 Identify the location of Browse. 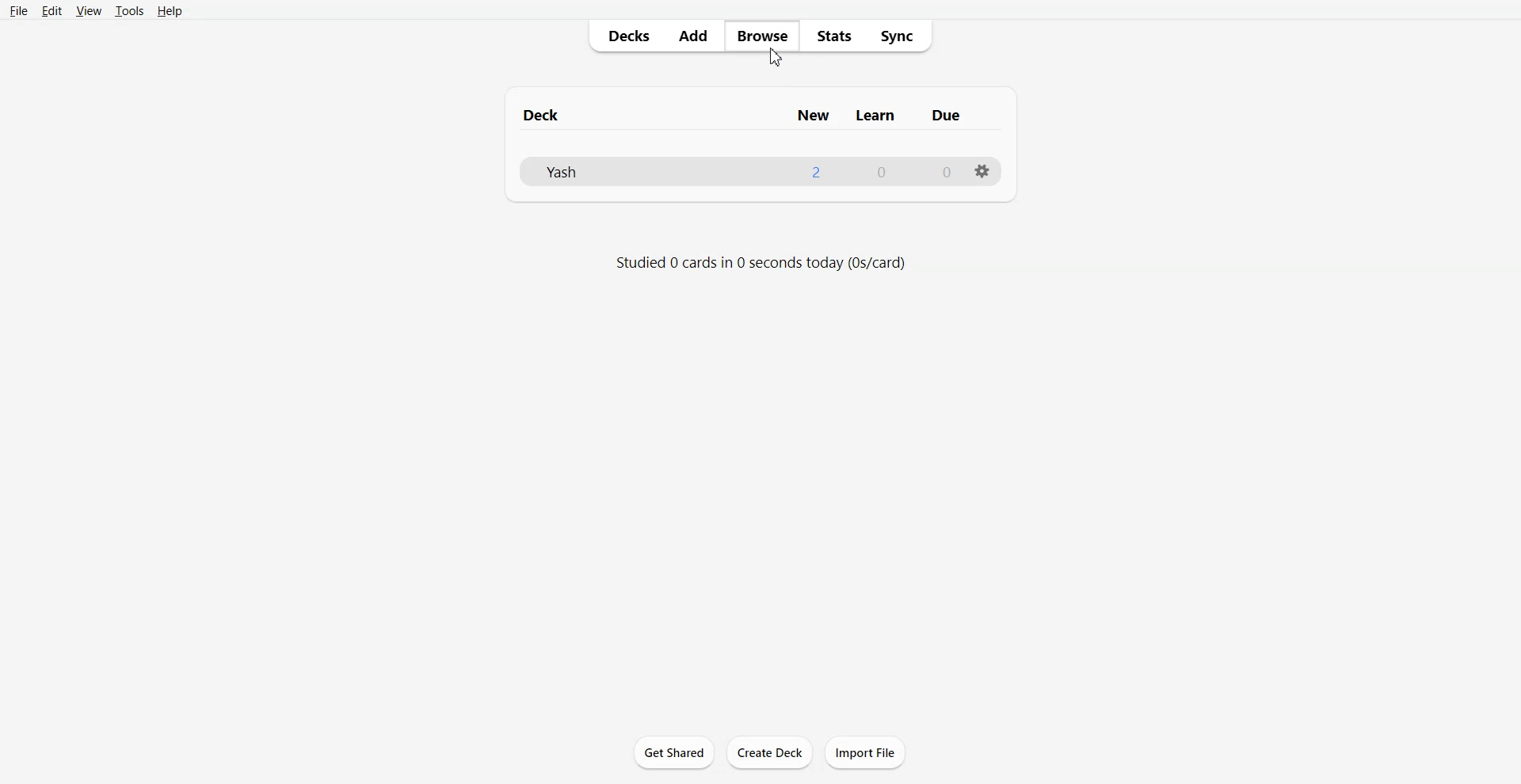
(762, 36).